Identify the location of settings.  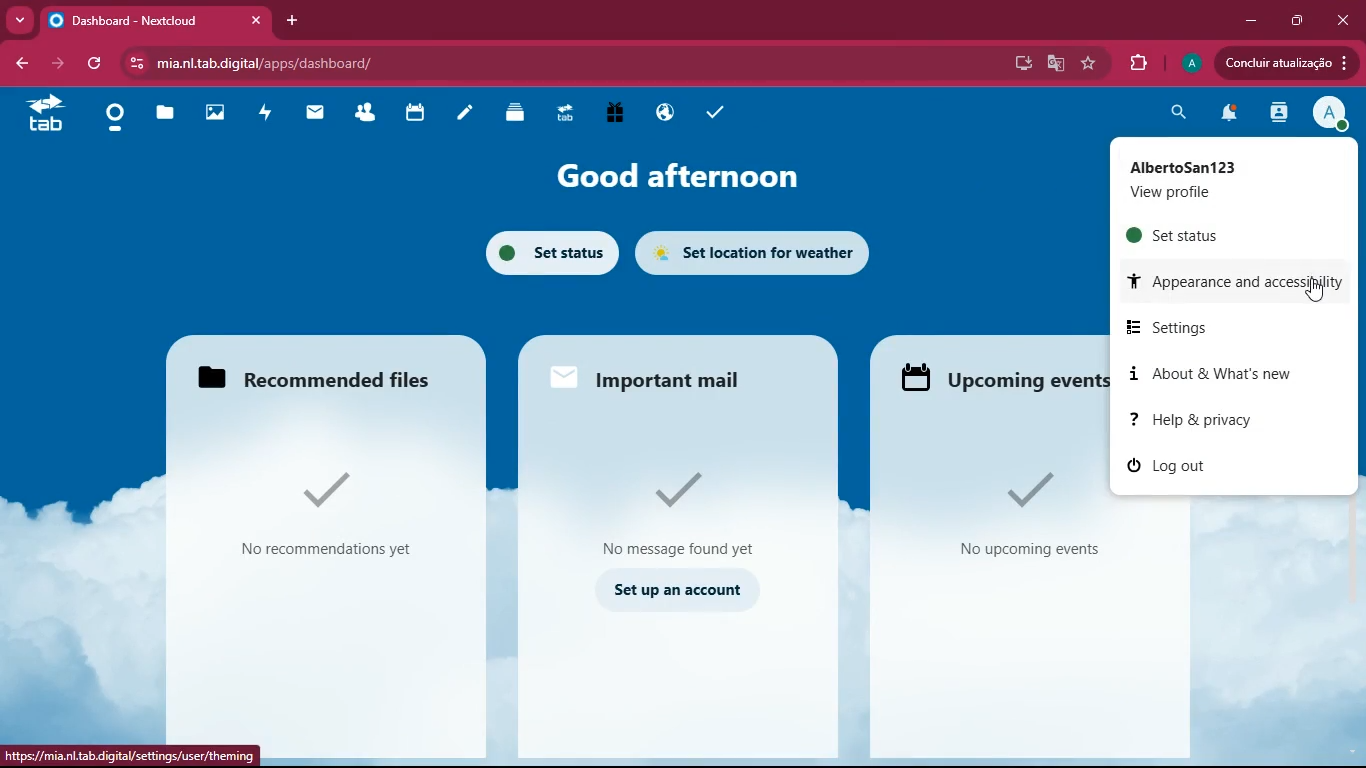
(1220, 326).